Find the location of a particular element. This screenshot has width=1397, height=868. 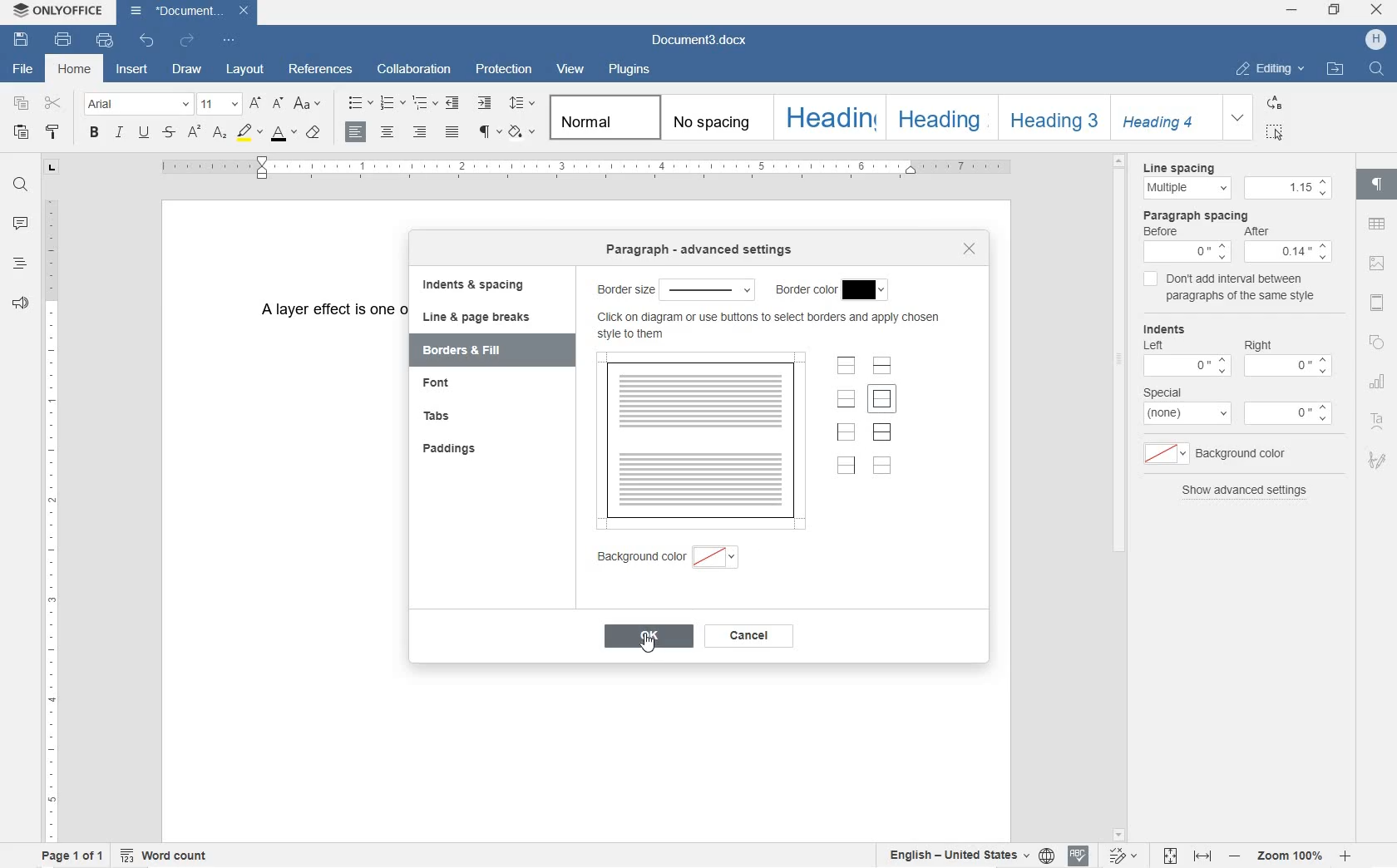

HOME is located at coordinates (77, 69).